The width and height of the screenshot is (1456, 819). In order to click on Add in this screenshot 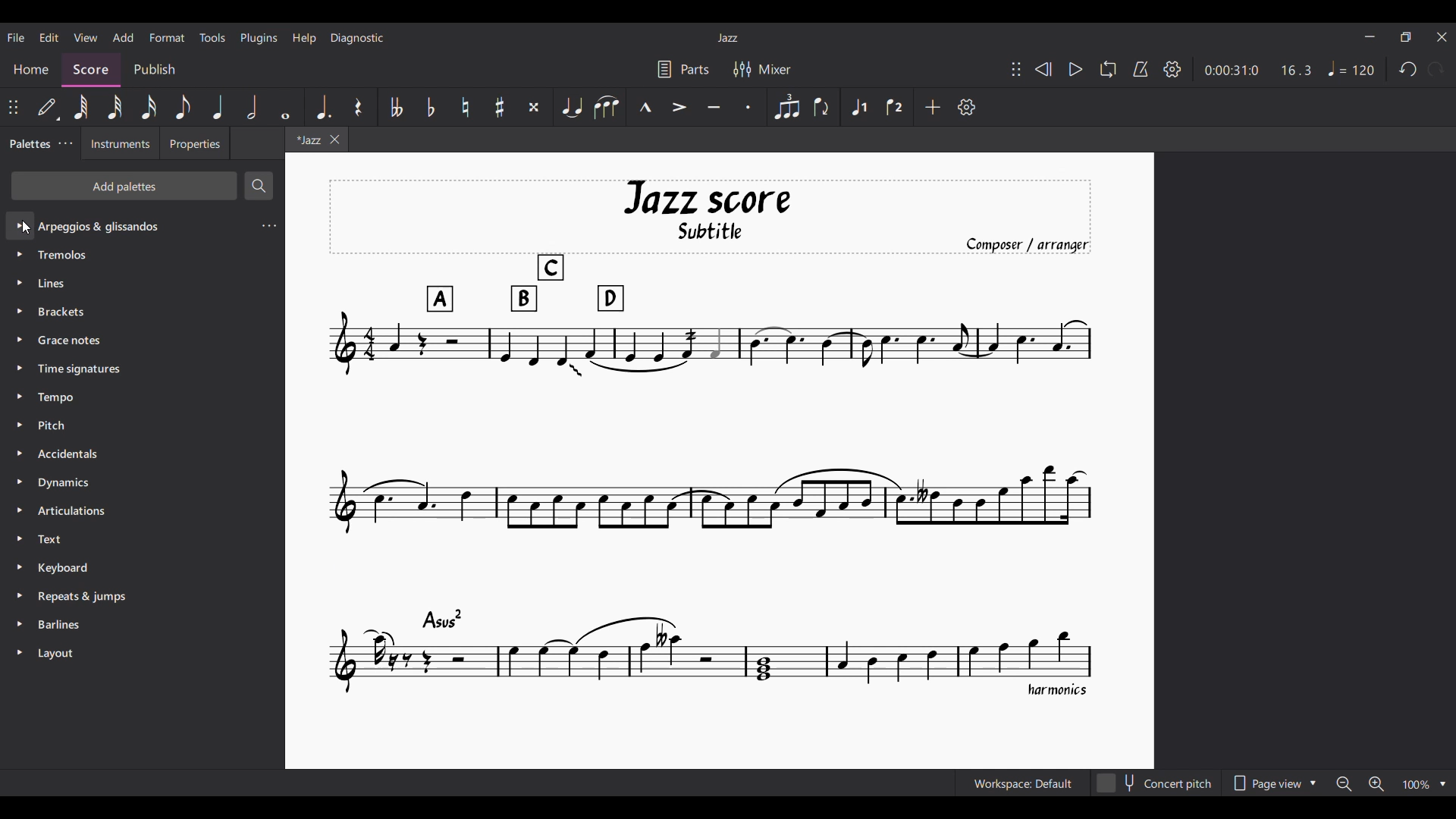, I will do `click(934, 107)`.